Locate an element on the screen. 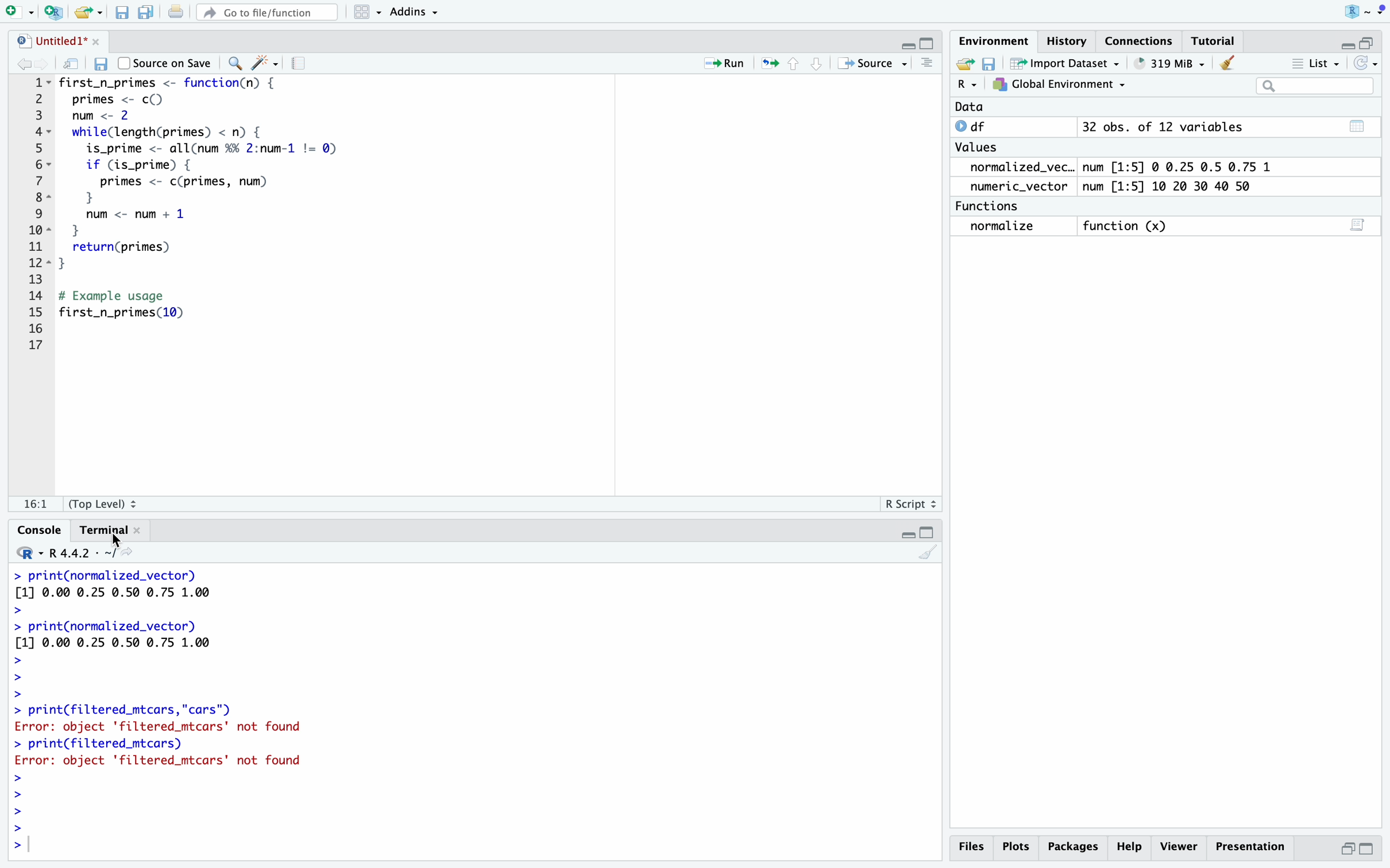 The width and height of the screenshot is (1390, 868). new is located at coordinates (967, 61).